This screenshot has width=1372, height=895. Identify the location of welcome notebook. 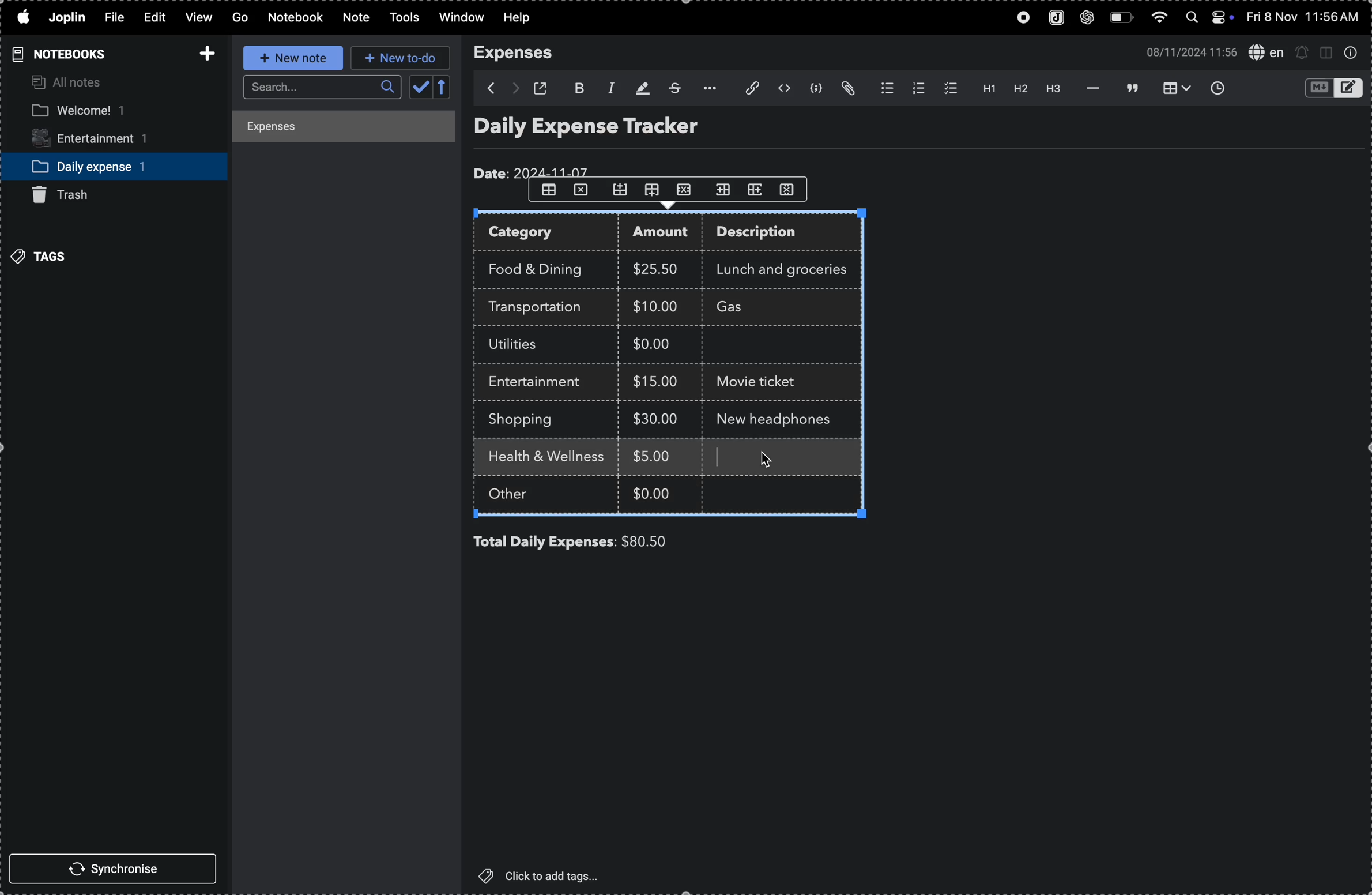
(101, 111).